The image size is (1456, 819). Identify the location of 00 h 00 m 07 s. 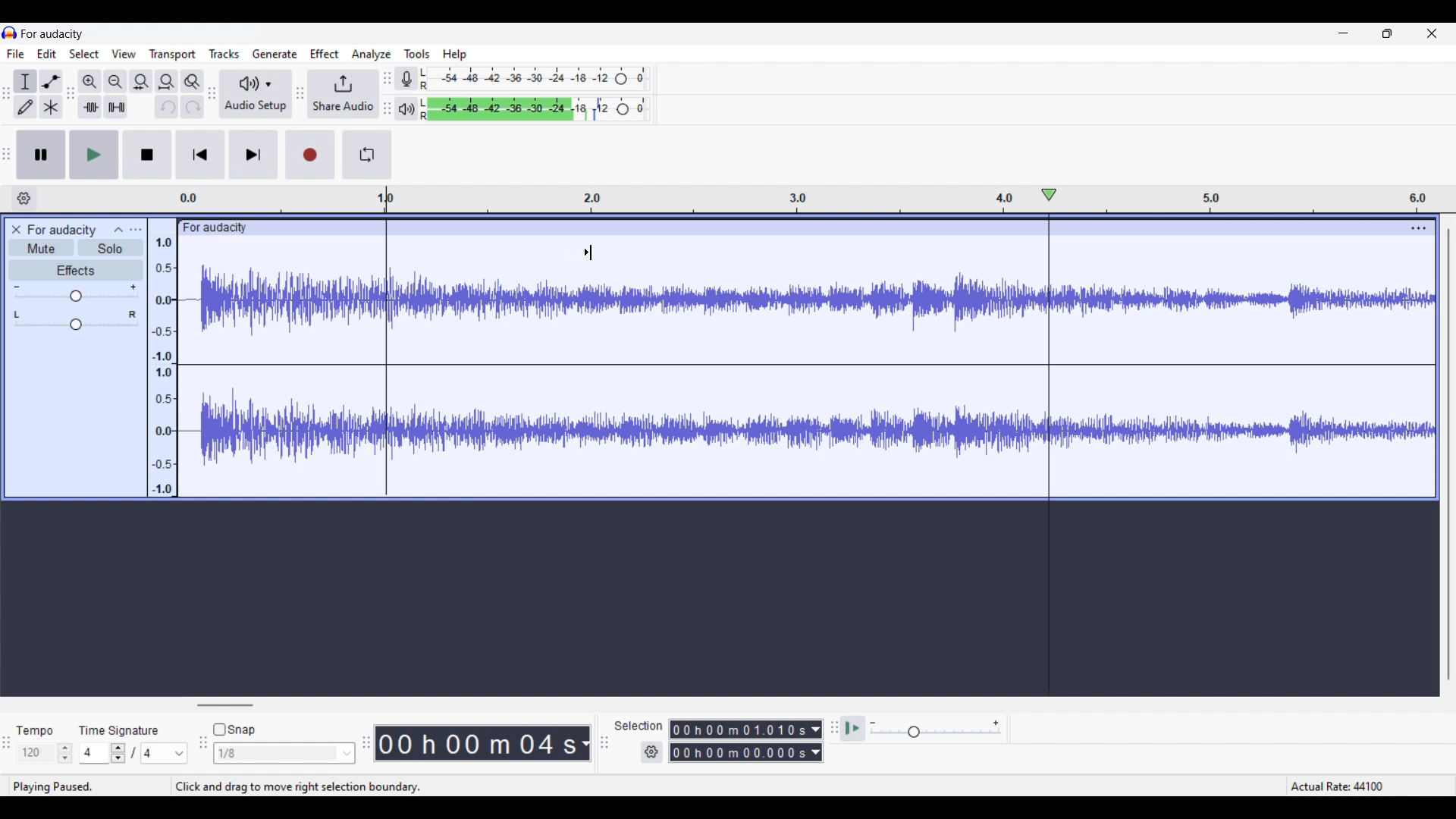
(477, 743).